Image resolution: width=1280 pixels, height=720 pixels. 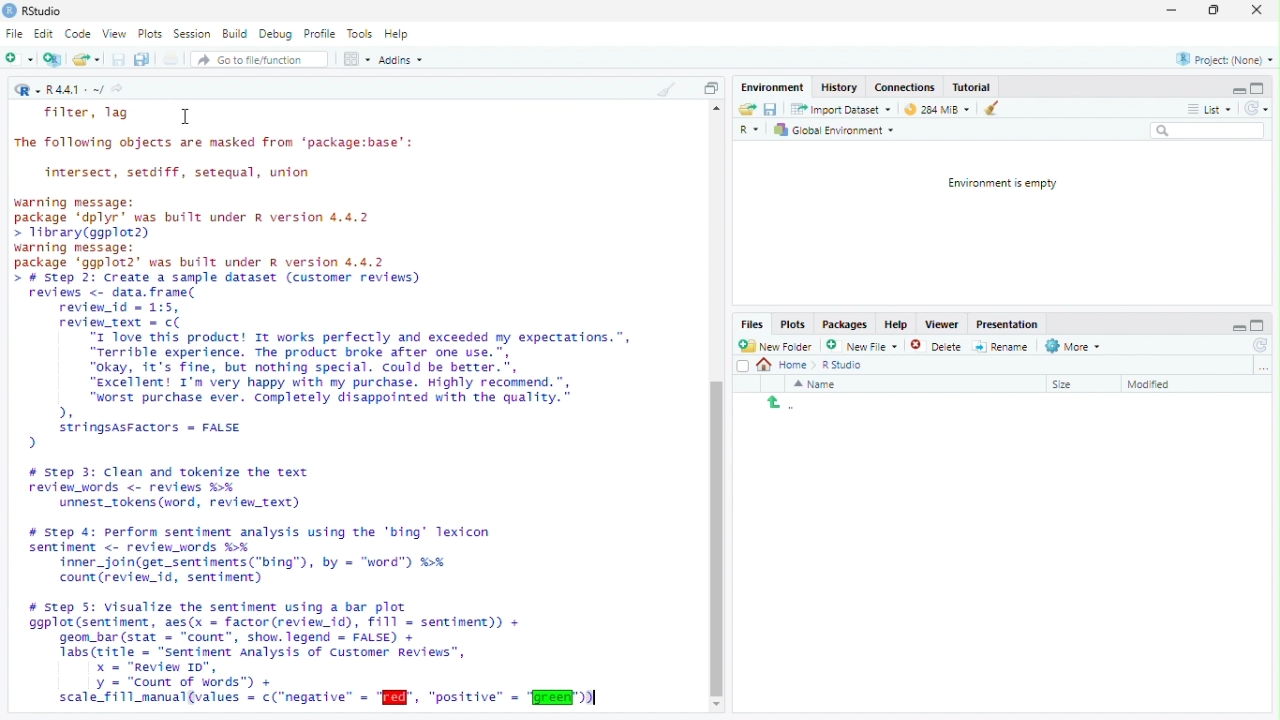 What do you see at coordinates (252, 60) in the screenshot?
I see `Go to file/function` at bounding box center [252, 60].